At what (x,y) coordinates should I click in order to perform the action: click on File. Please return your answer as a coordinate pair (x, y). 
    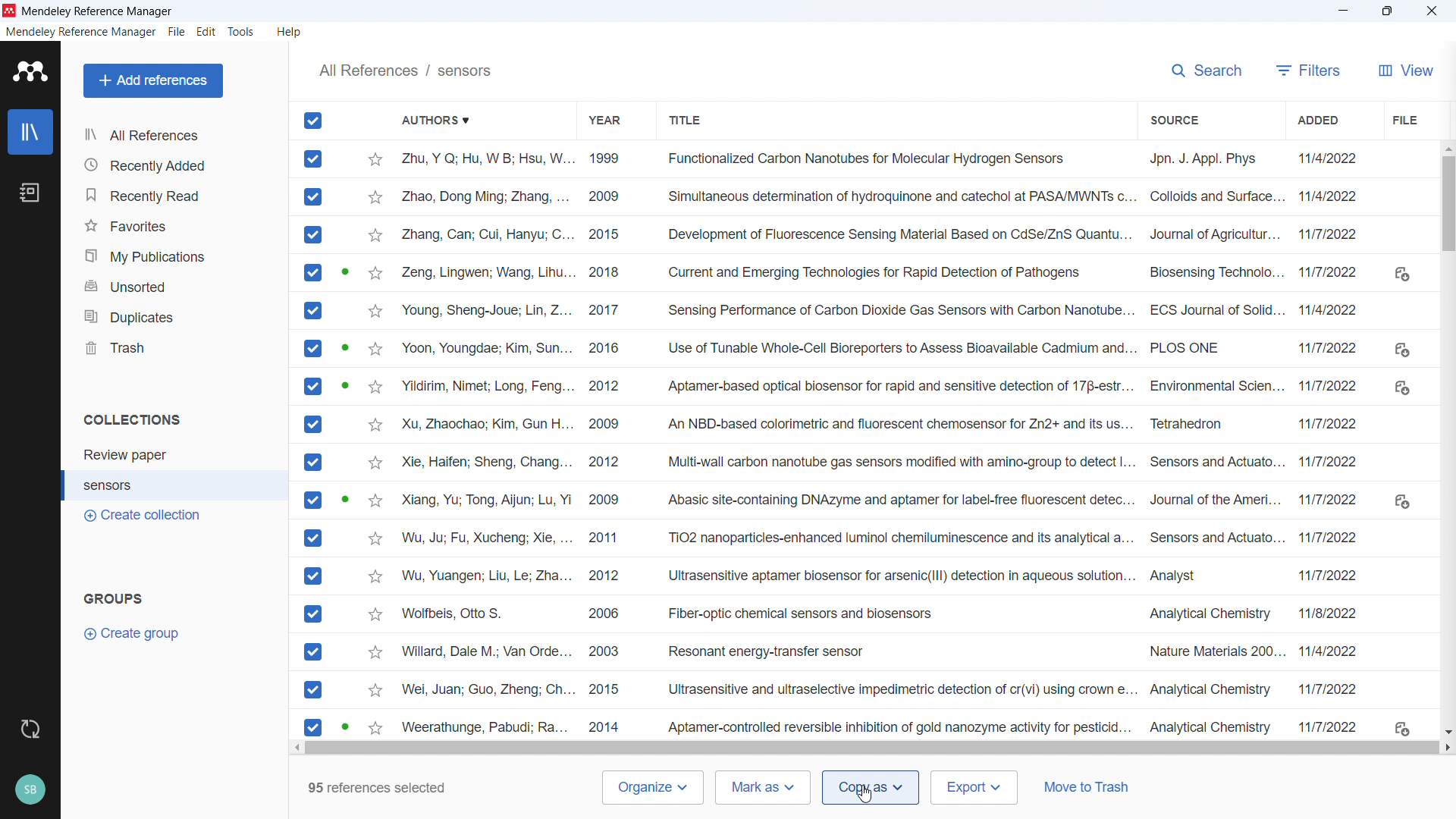
    Looking at the image, I should click on (1404, 121).